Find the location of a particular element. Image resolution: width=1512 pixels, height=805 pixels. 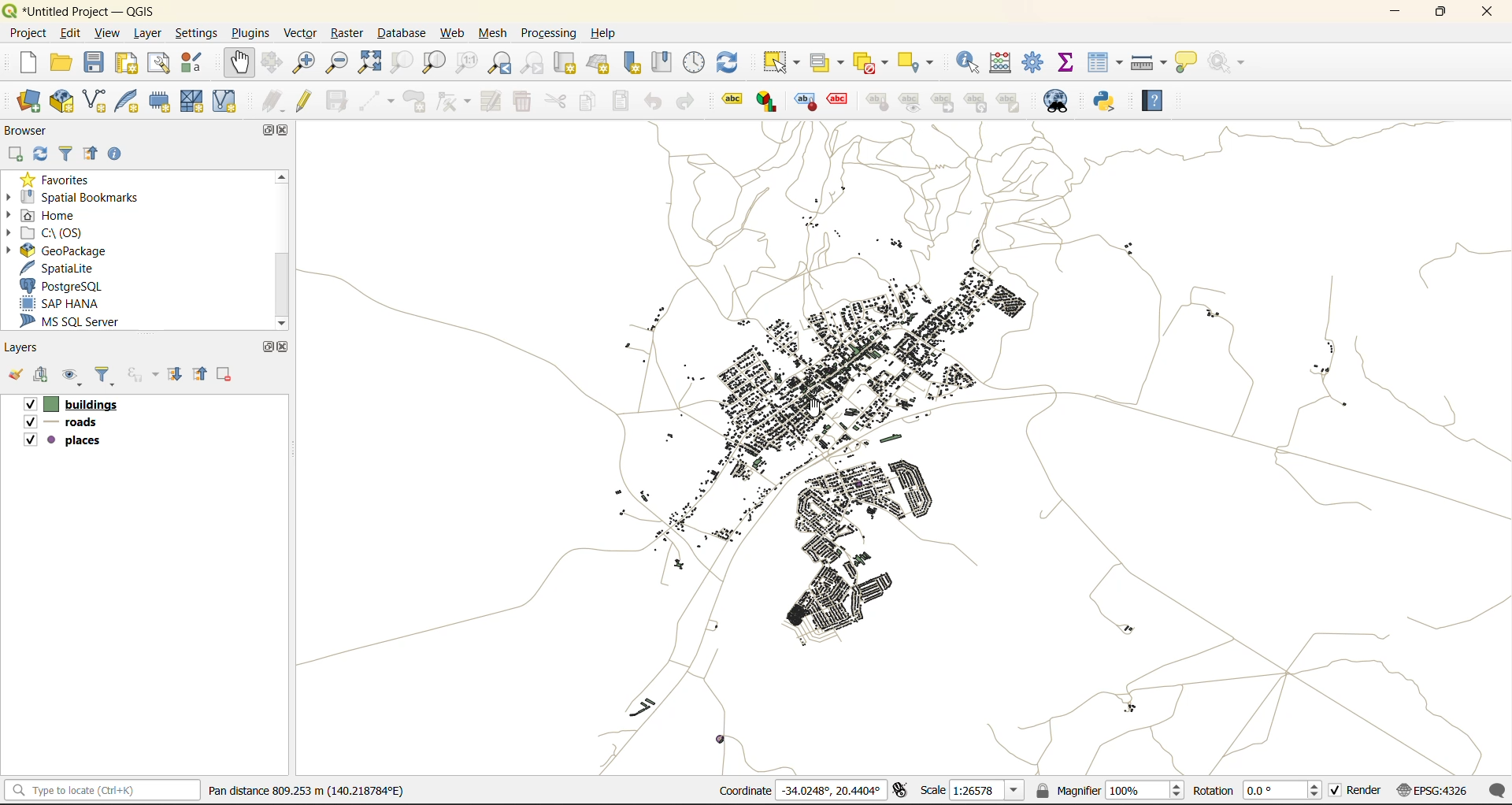

close is located at coordinates (284, 132).